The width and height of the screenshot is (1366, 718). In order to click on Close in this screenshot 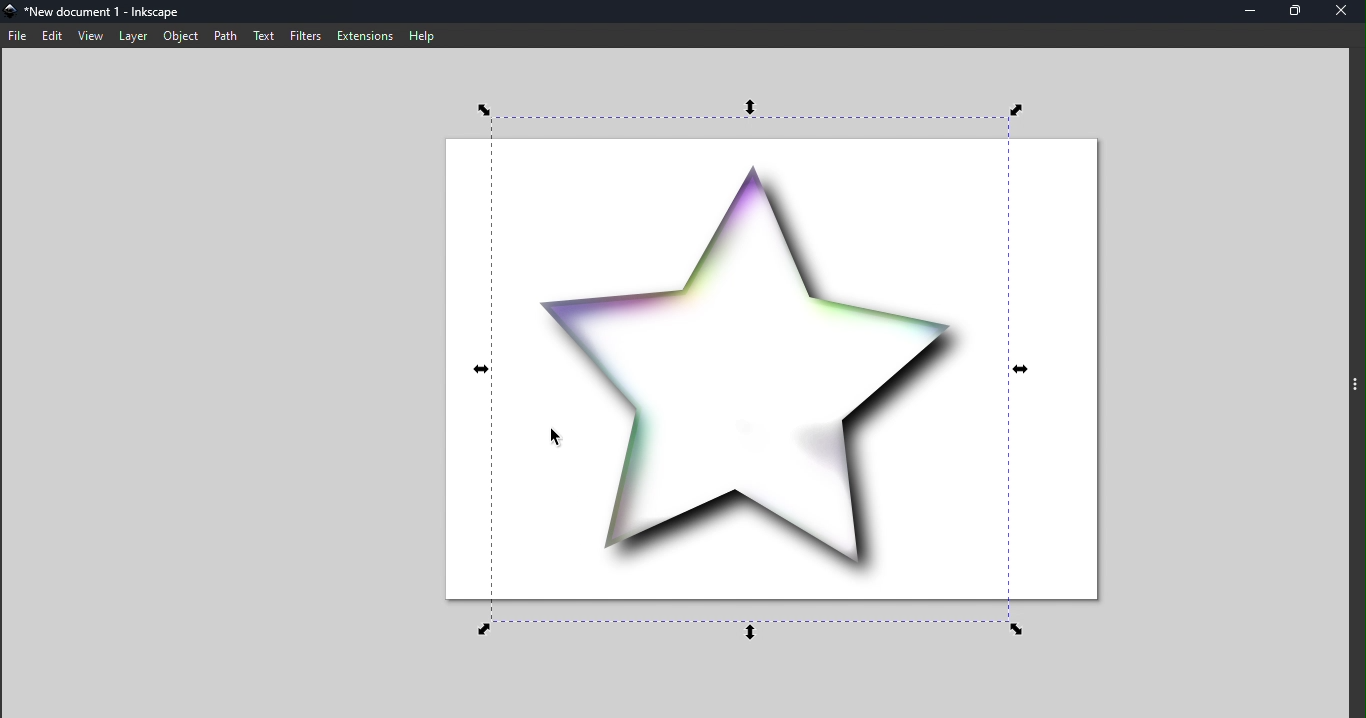, I will do `click(1343, 11)`.